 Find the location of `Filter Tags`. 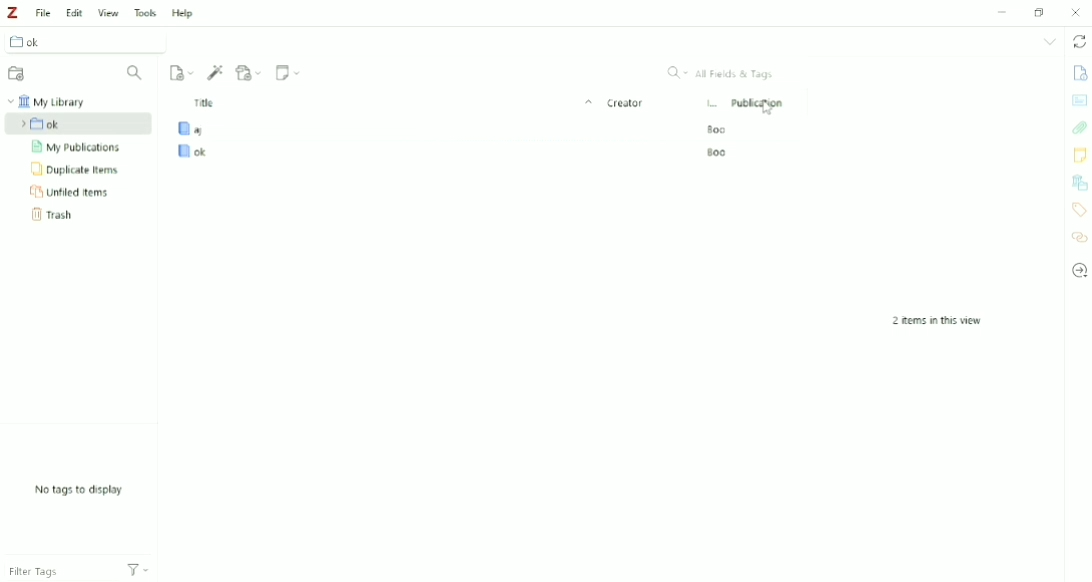

Filter Tags is located at coordinates (41, 568).